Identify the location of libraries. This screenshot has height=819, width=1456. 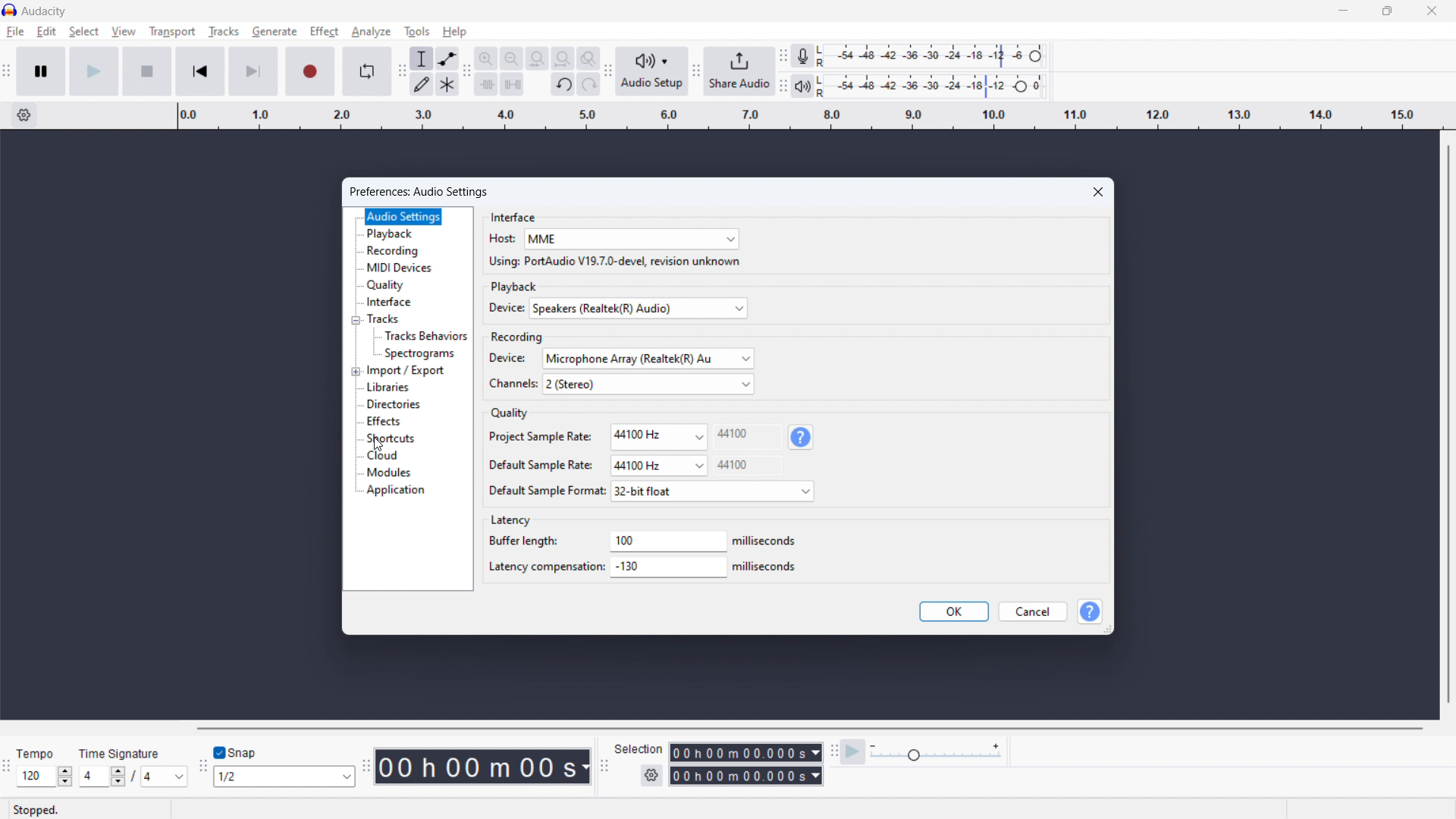
(388, 387).